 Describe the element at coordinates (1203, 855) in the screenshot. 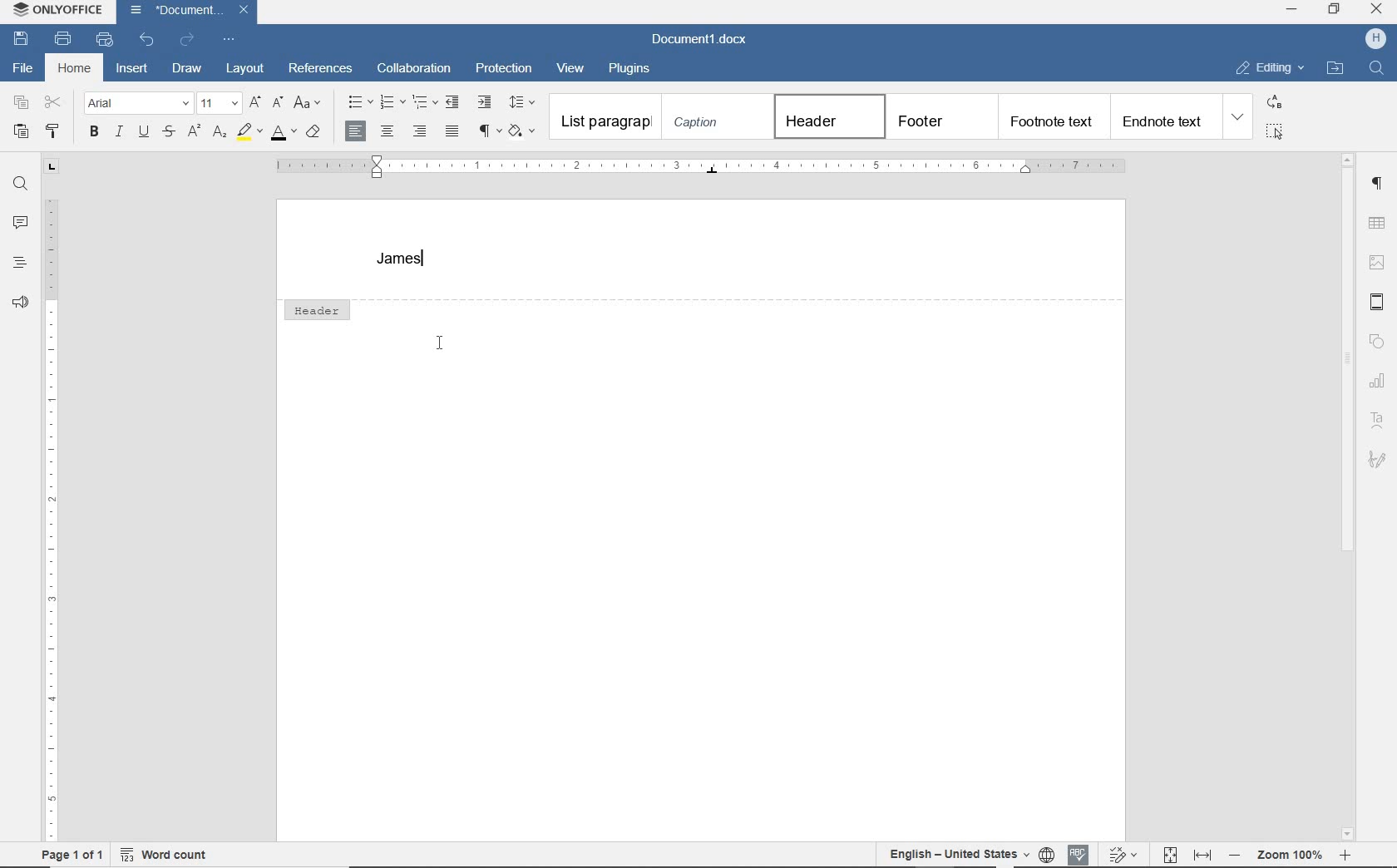

I see `fit to width` at that location.